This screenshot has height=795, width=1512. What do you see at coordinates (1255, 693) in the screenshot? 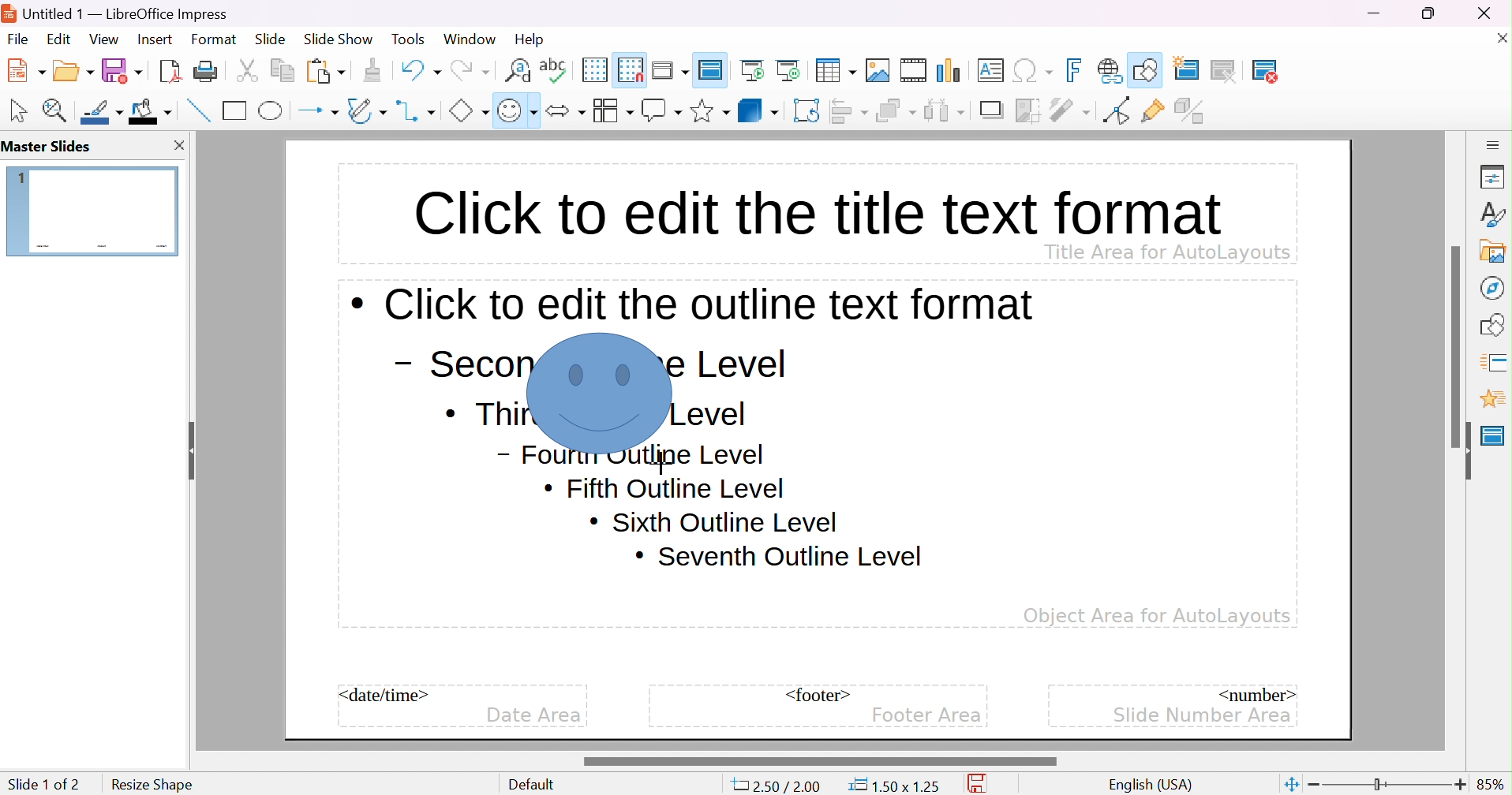
I see `<number>` at bounding box center [1255, 693].